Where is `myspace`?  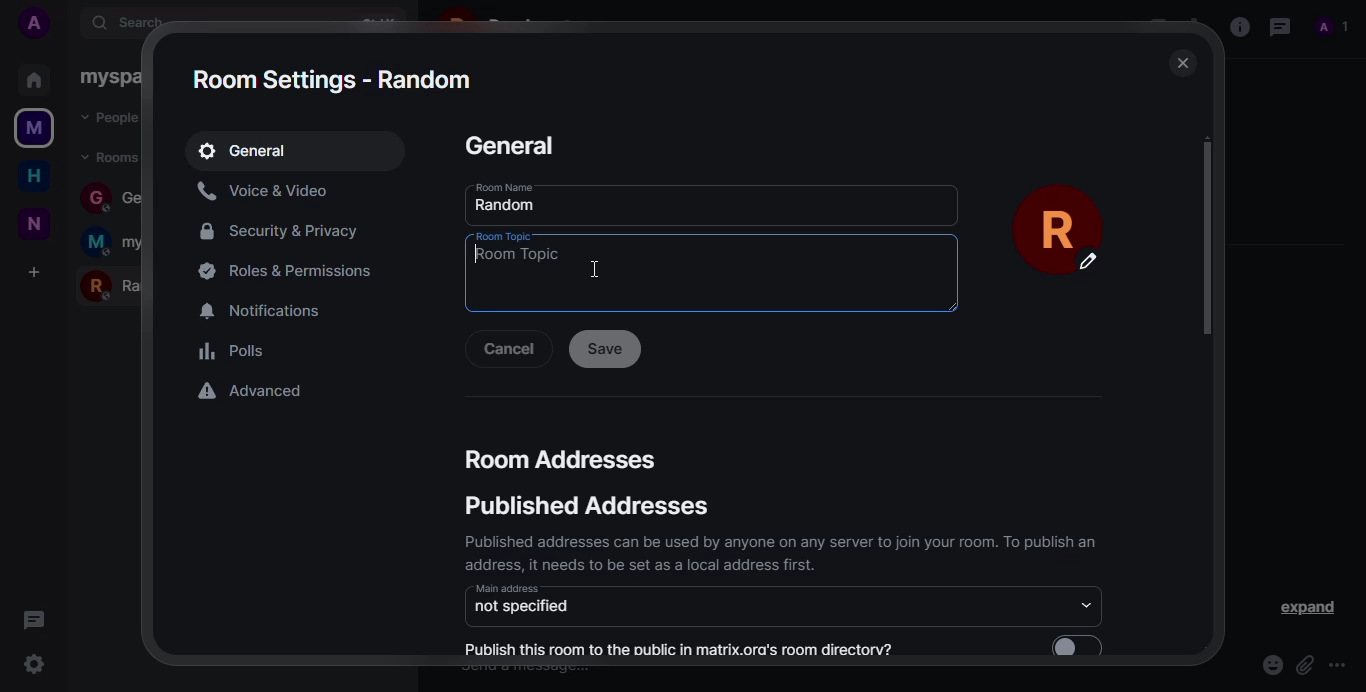
myspace is located at coordinates (33, 129).